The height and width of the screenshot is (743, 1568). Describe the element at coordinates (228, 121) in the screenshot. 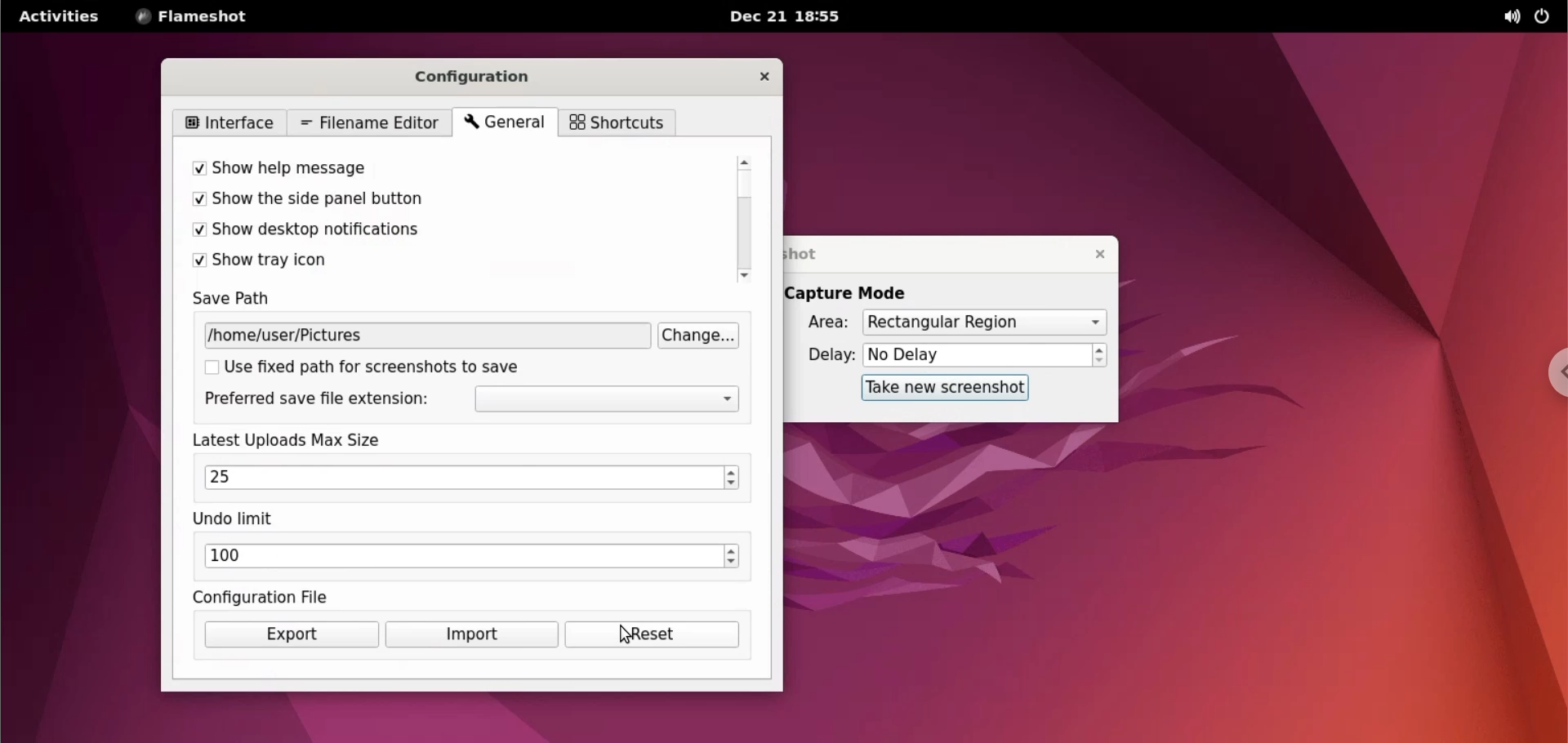

I see `interface ` at that location.